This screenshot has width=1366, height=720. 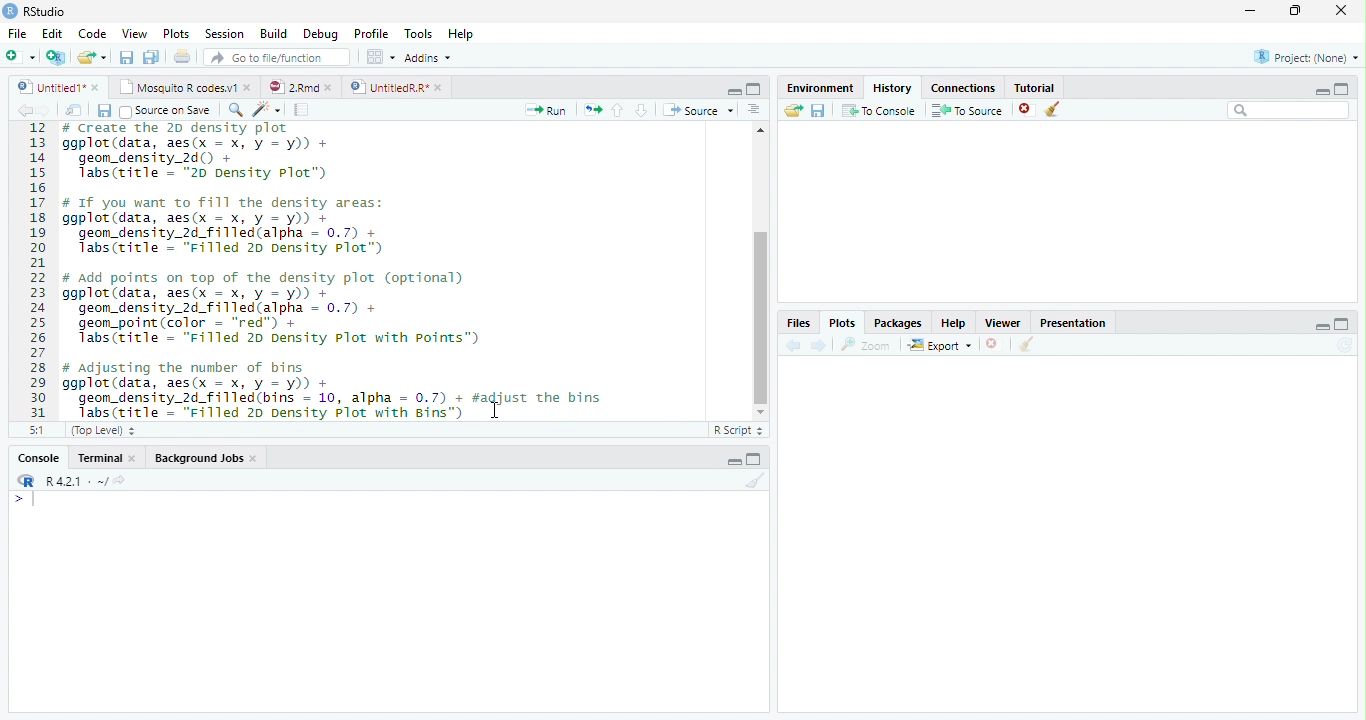 I want to click on save current document, so click(x=125, y=57).